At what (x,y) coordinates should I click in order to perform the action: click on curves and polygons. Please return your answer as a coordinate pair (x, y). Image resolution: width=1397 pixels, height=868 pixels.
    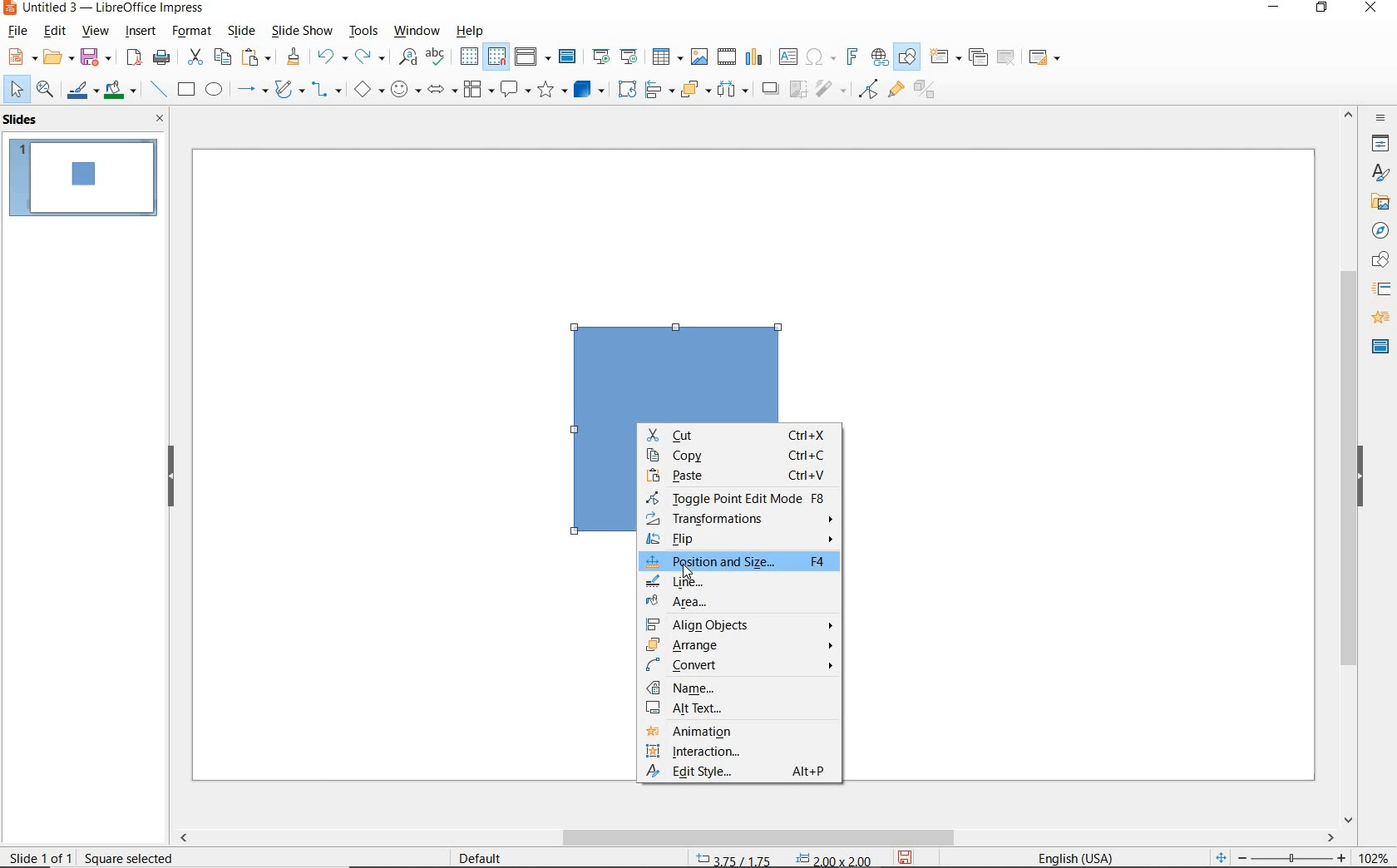
    Looking at the image, I should click on (288, 91).